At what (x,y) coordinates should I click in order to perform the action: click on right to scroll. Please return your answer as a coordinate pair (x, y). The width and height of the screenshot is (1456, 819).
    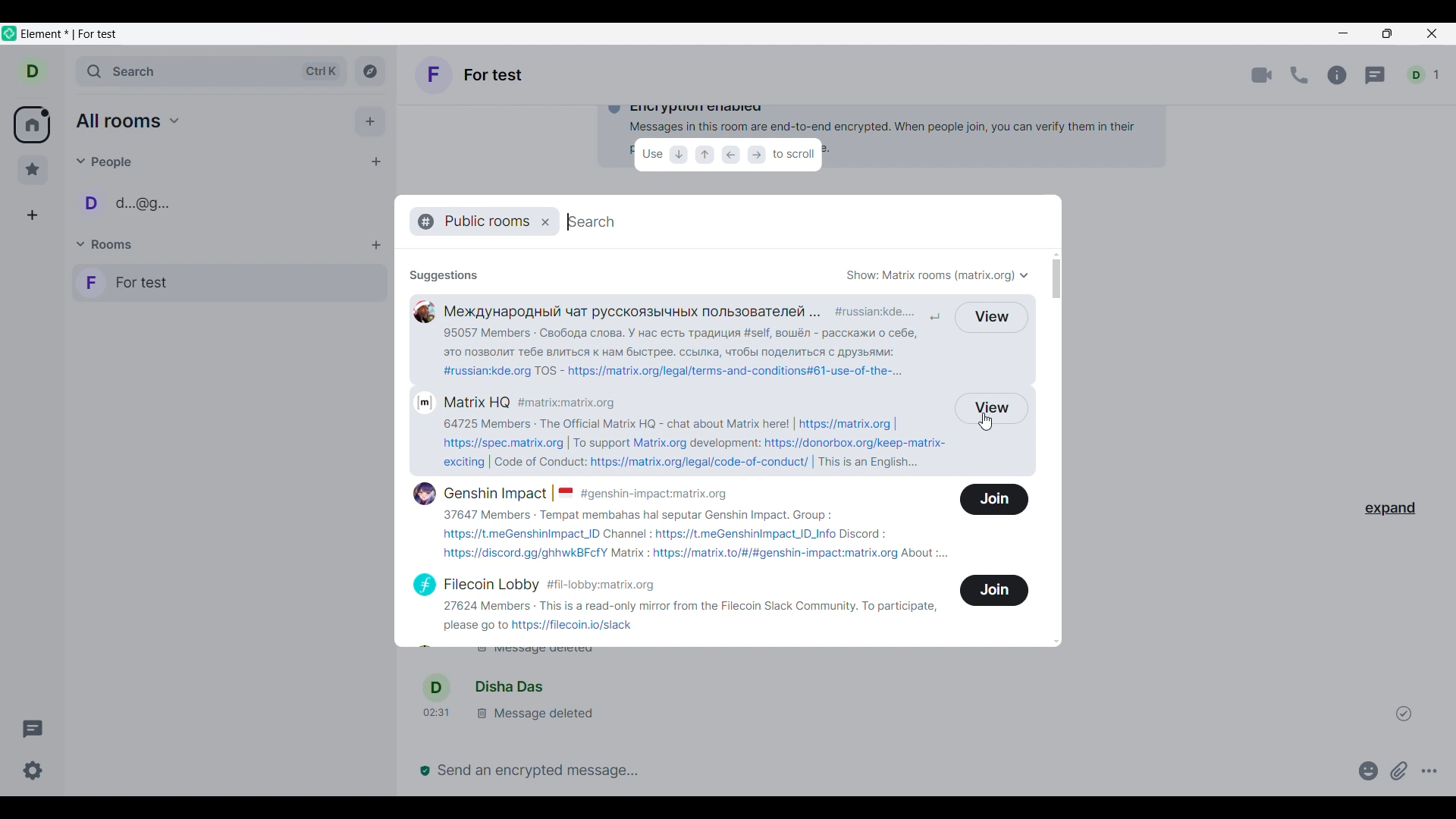
    Looking at the image, I should click on (757, 157).